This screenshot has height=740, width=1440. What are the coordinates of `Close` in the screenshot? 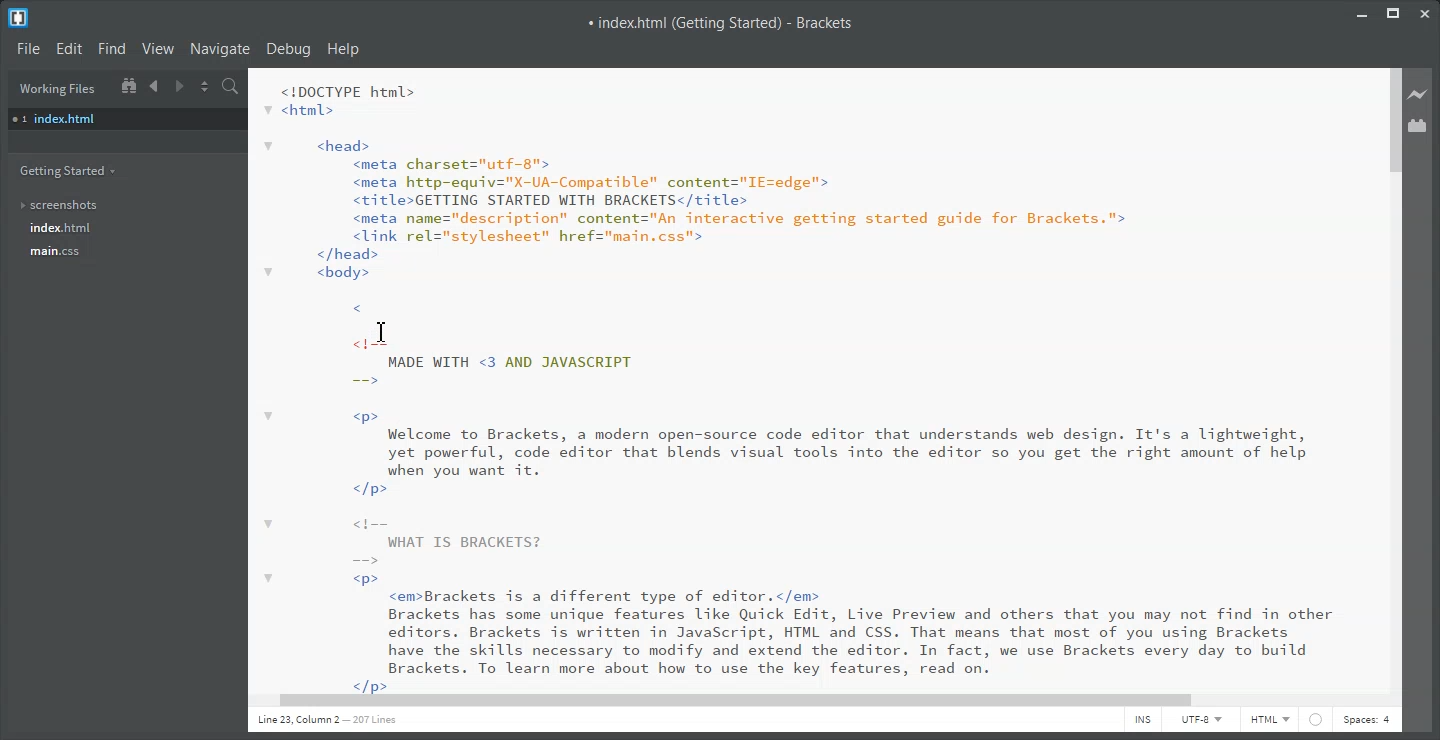 It's located at (1426, 13).